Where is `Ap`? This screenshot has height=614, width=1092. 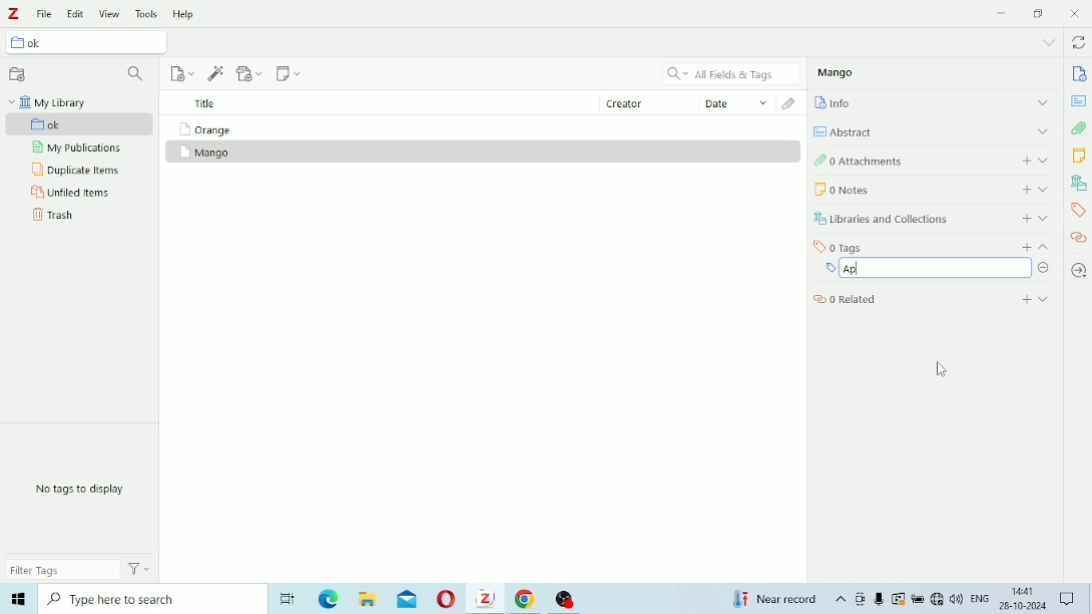 Ap is located at coordinates (928, 268).